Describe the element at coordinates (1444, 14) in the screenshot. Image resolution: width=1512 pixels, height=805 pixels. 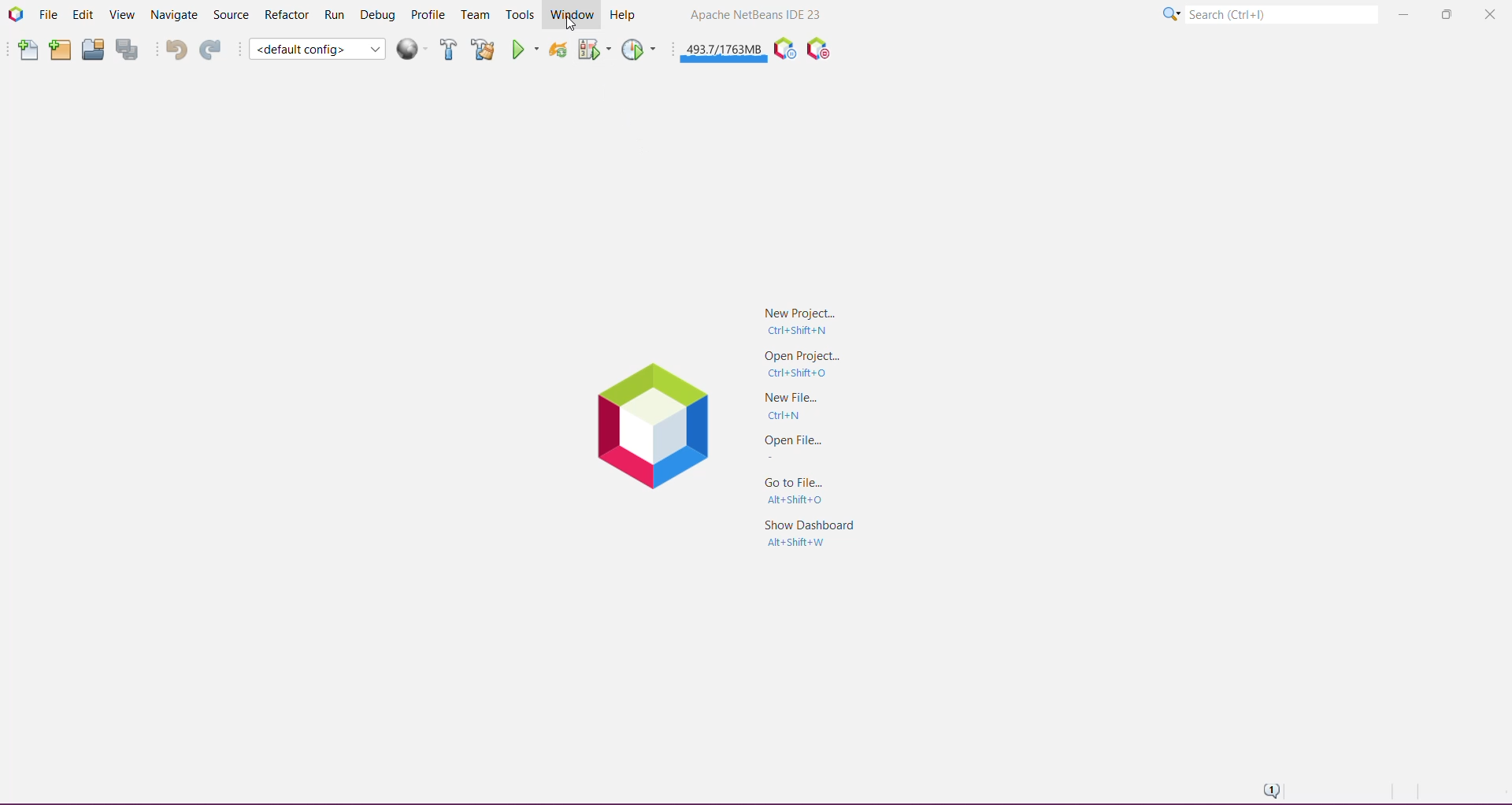
I see `Restore Down` at that location.